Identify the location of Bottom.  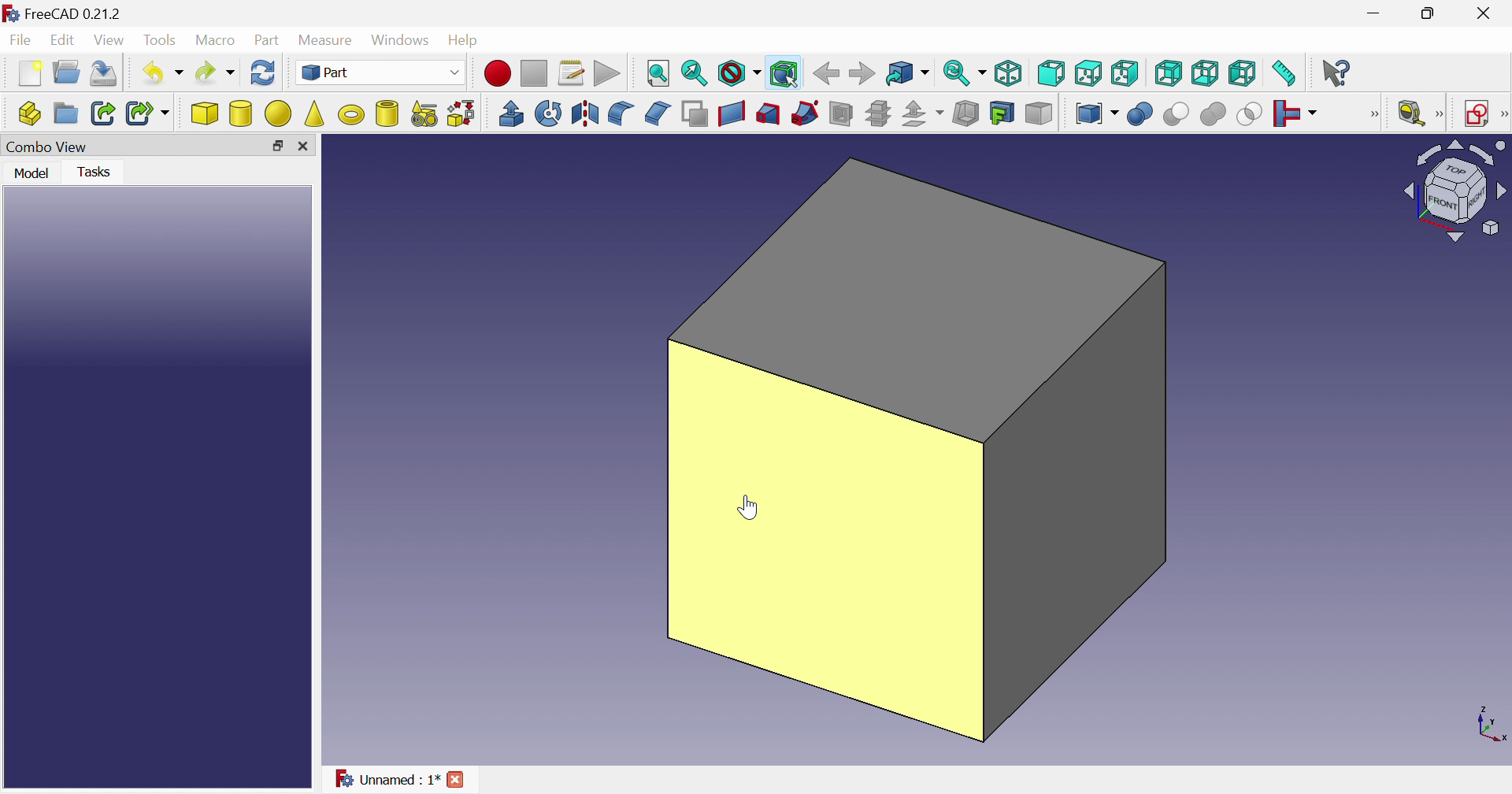
(1205, 73).